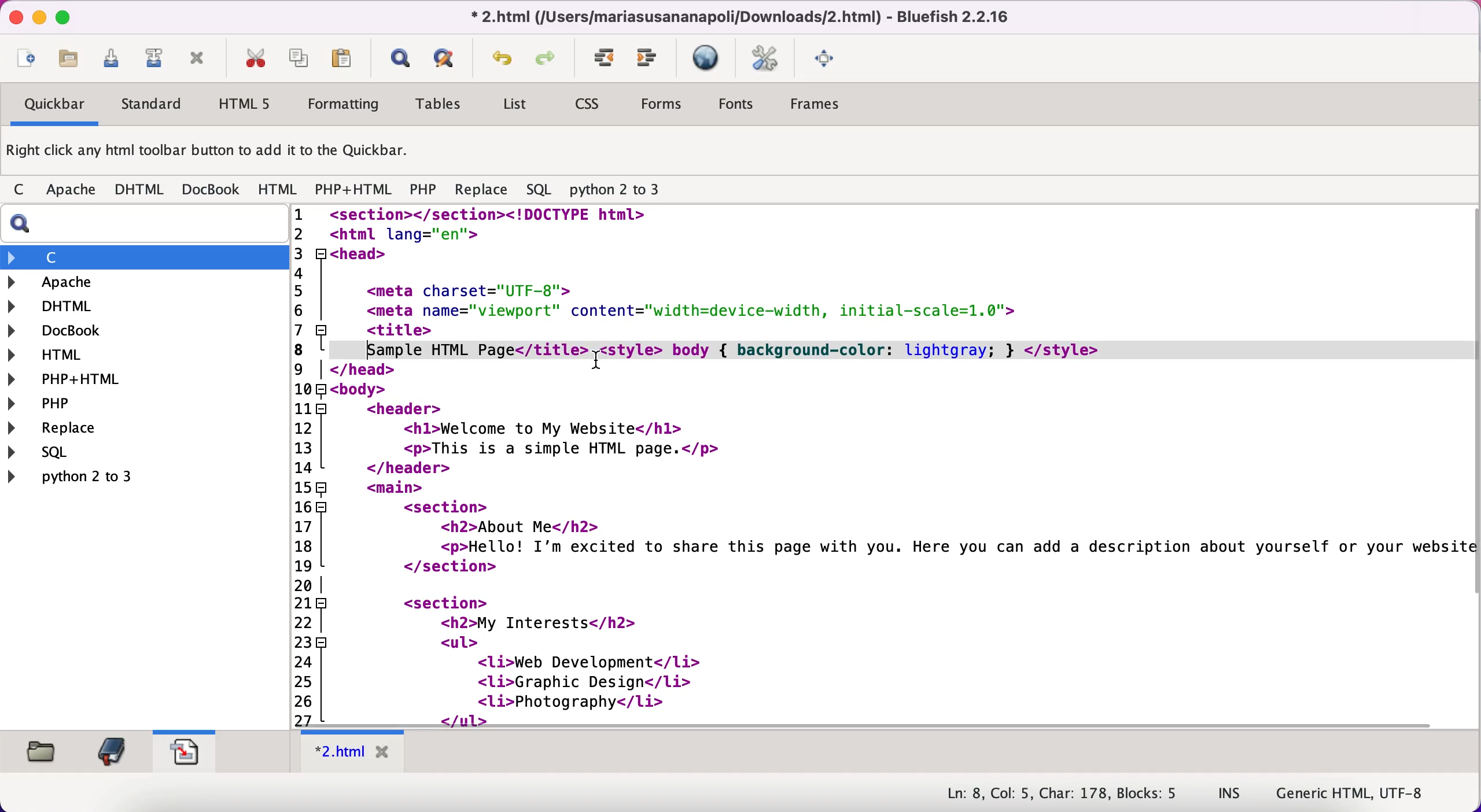  What do you see at coordinates (818, 104) in the screenshot?
I see `frames` at bounding box center [818, 104].